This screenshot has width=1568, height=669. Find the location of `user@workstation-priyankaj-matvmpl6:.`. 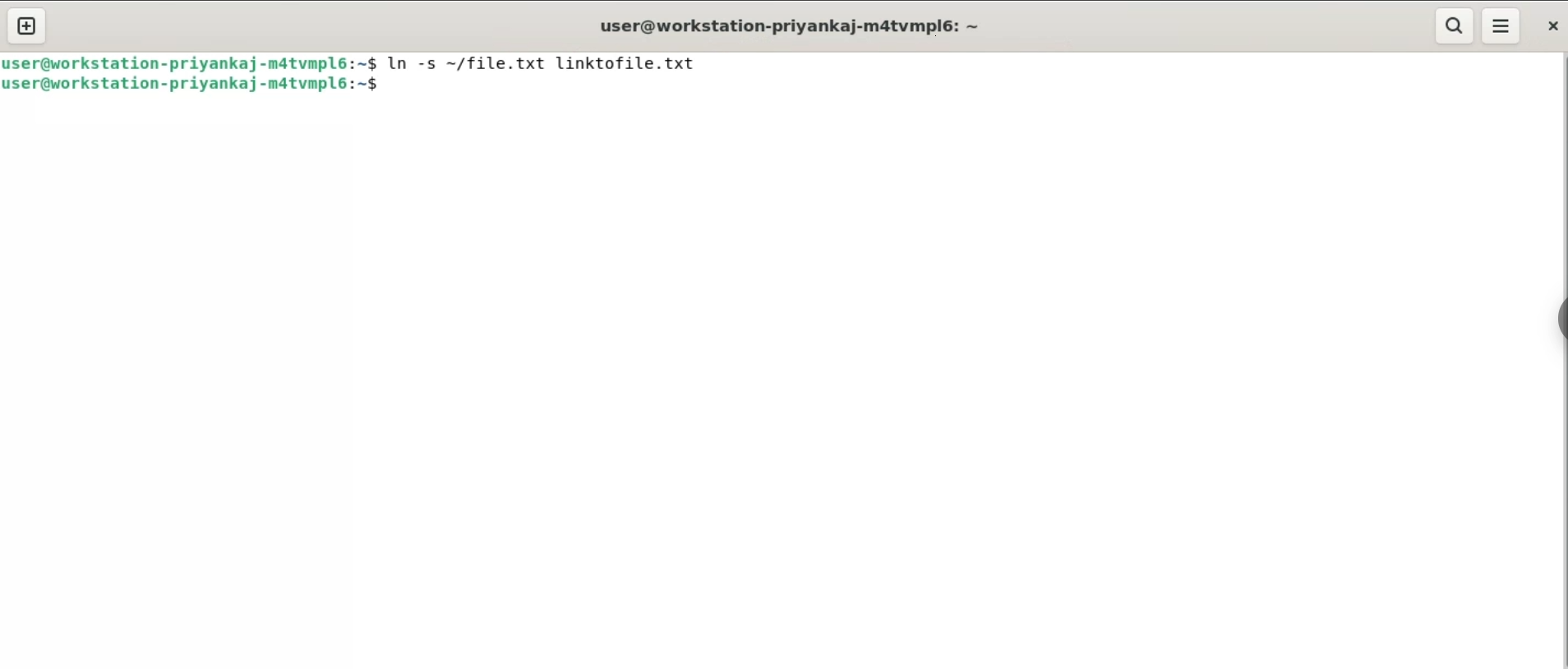

user@workstation-priyankaj-matvmpl6:. is located at coordinates (180, 85).